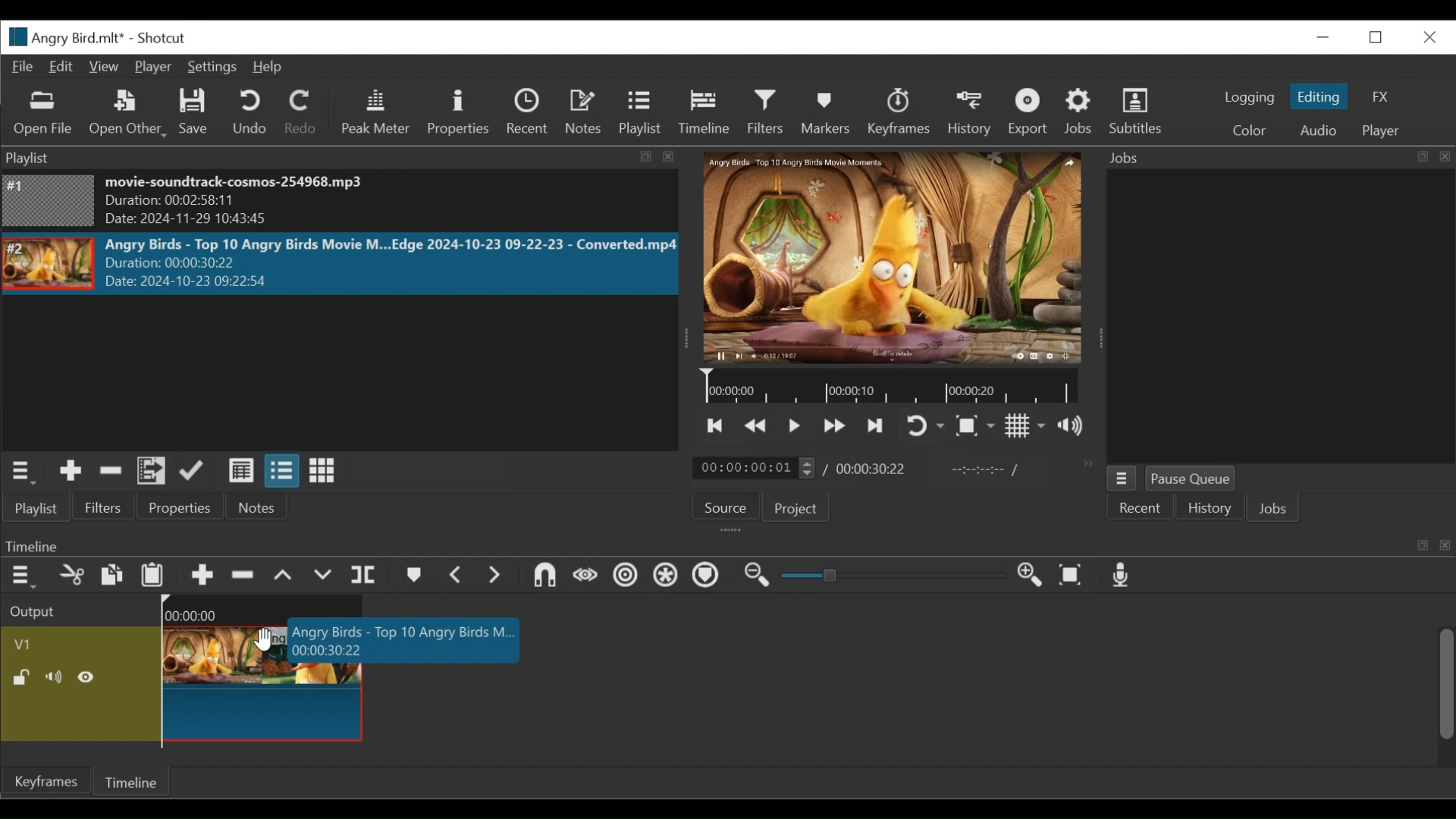 Image resolution: width=1456 pixels, height=819 pixels. I want to click on Cut, so click(71, 576).